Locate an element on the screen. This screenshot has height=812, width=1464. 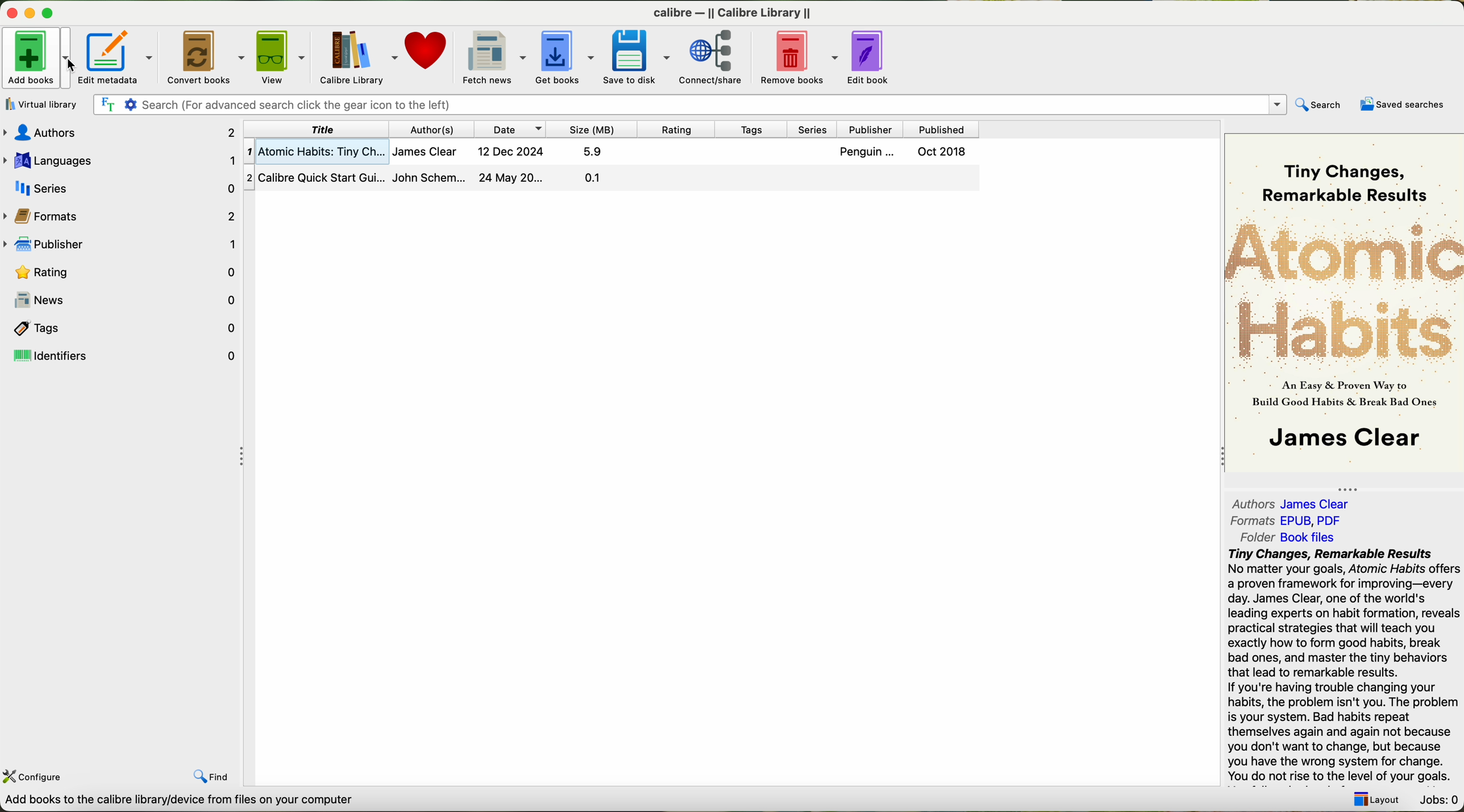
Calibre is located at coordinates (737, 11).